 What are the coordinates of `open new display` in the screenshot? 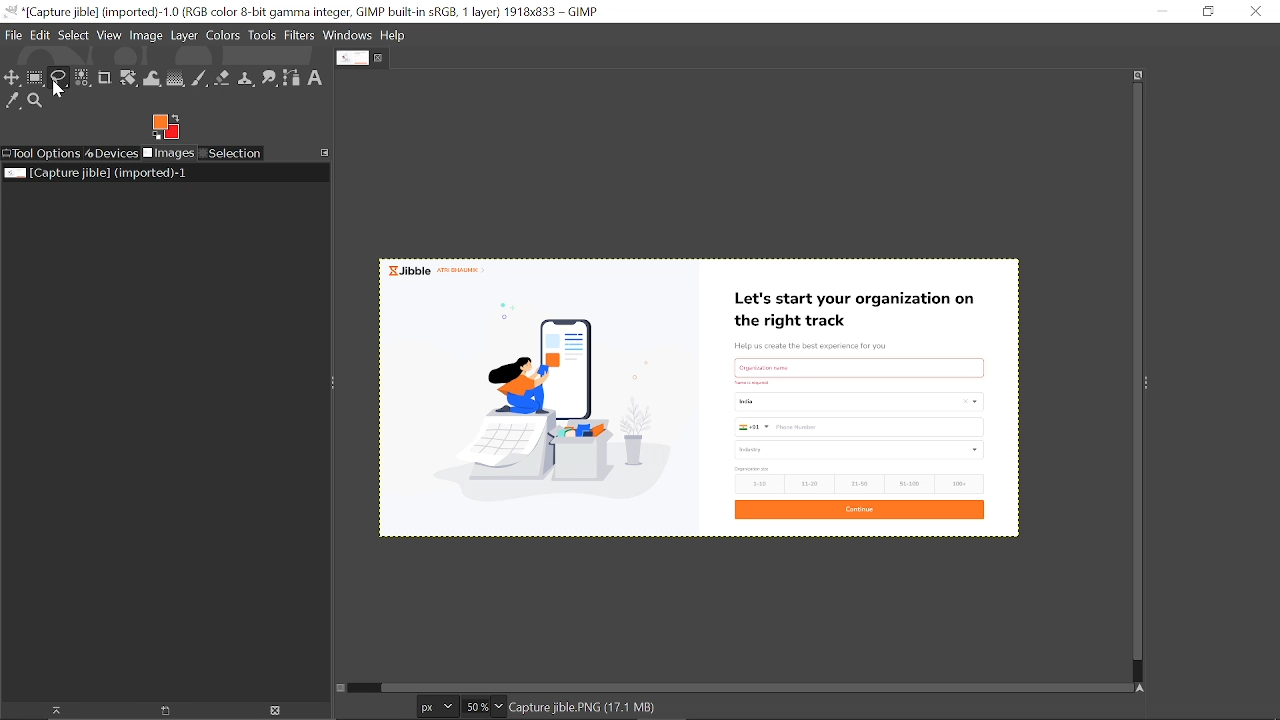 It's located at (158, 711).